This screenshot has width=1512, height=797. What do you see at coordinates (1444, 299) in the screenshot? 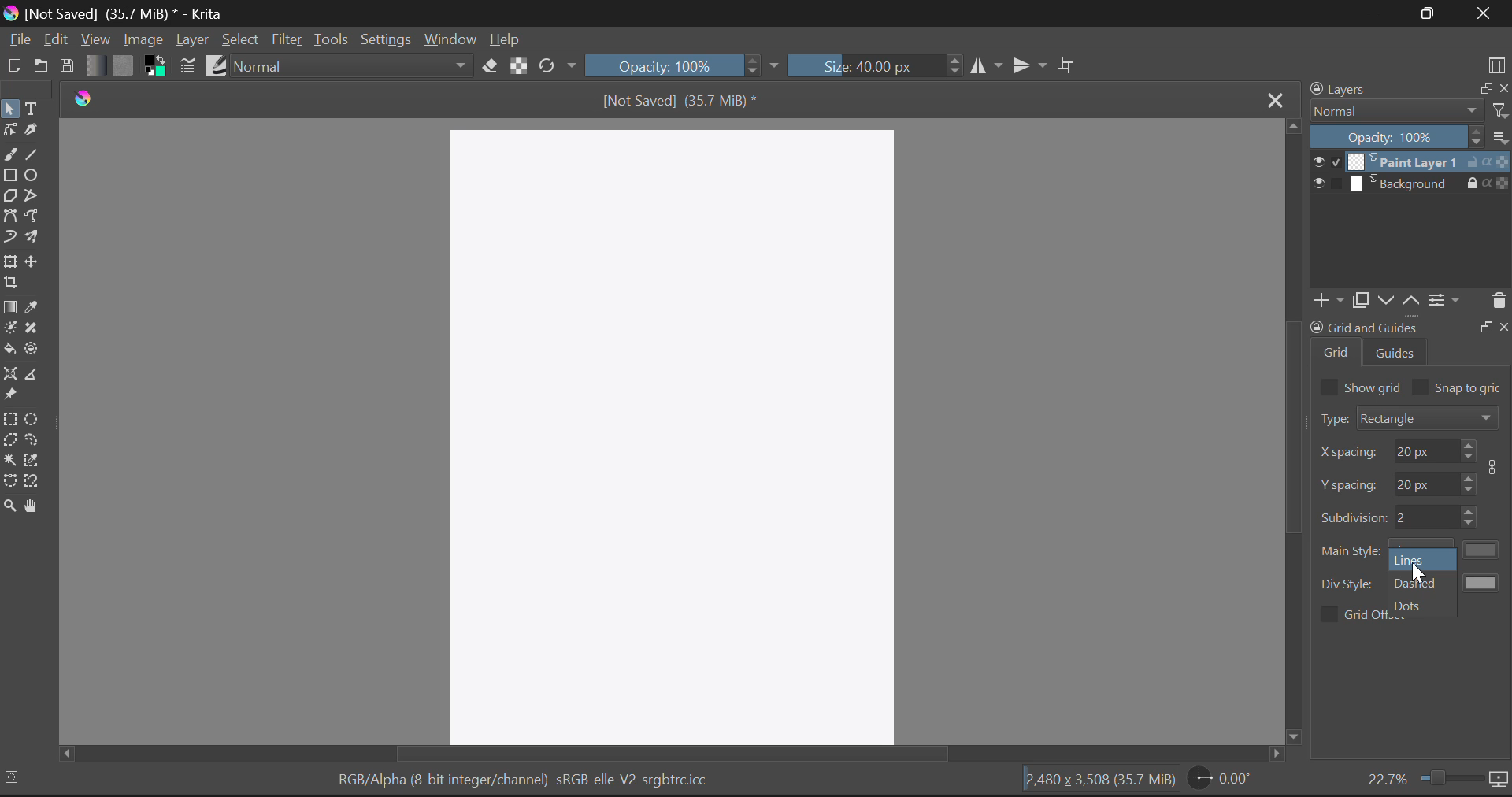
I see `settings` at bounding box center [1444, 299].